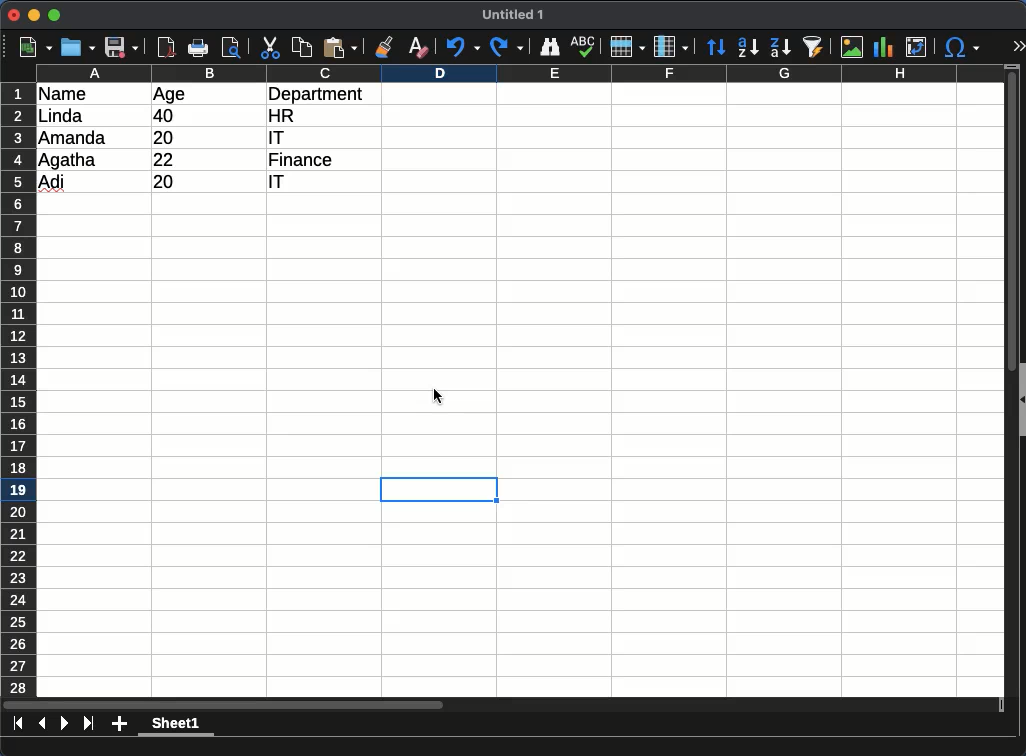  Describe the element at coordinates (88, 725) in the screenshot. I see `last page` at that location.